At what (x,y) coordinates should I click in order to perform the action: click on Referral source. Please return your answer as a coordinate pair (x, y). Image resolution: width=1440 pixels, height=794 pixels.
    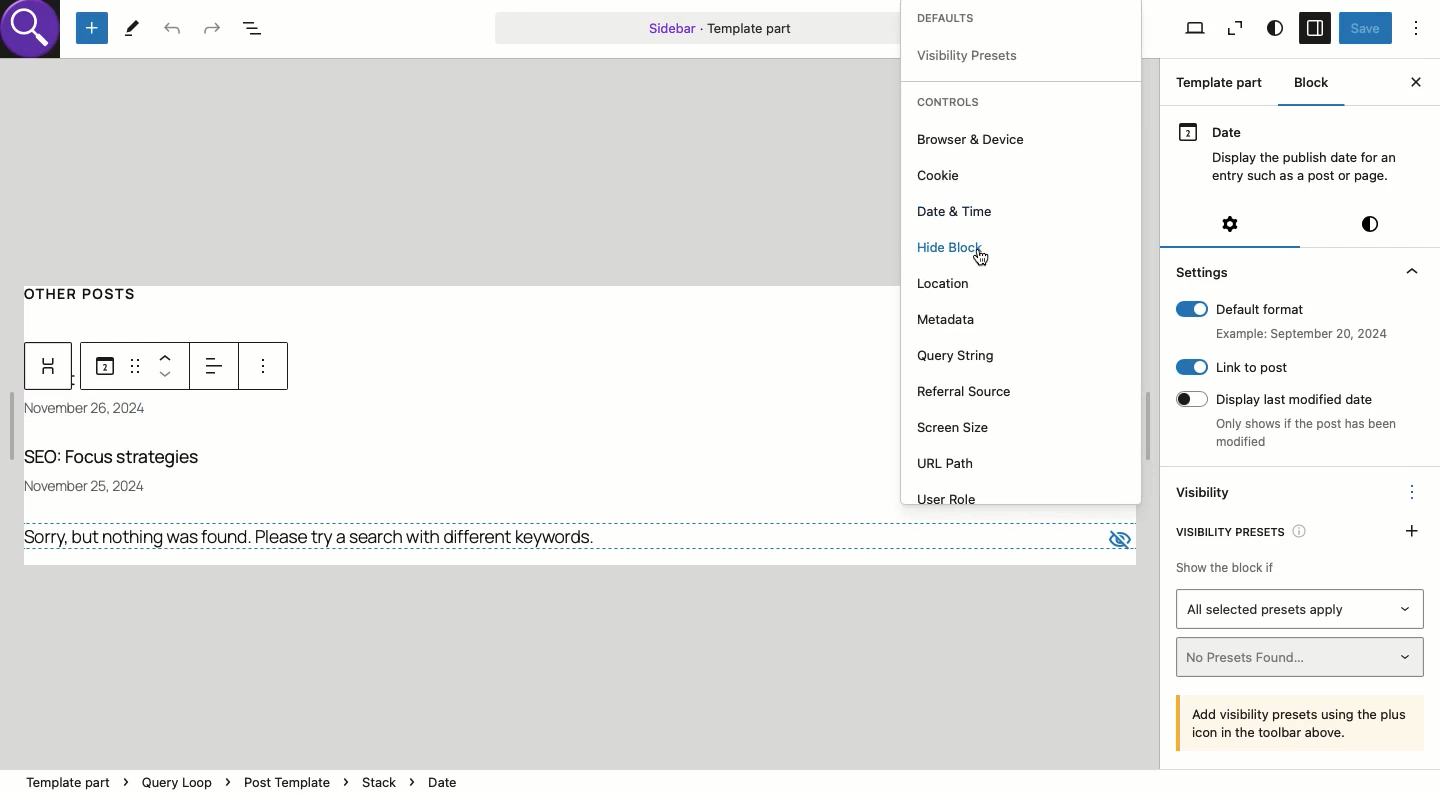
    Looking at the image, I should click on (969, 392).